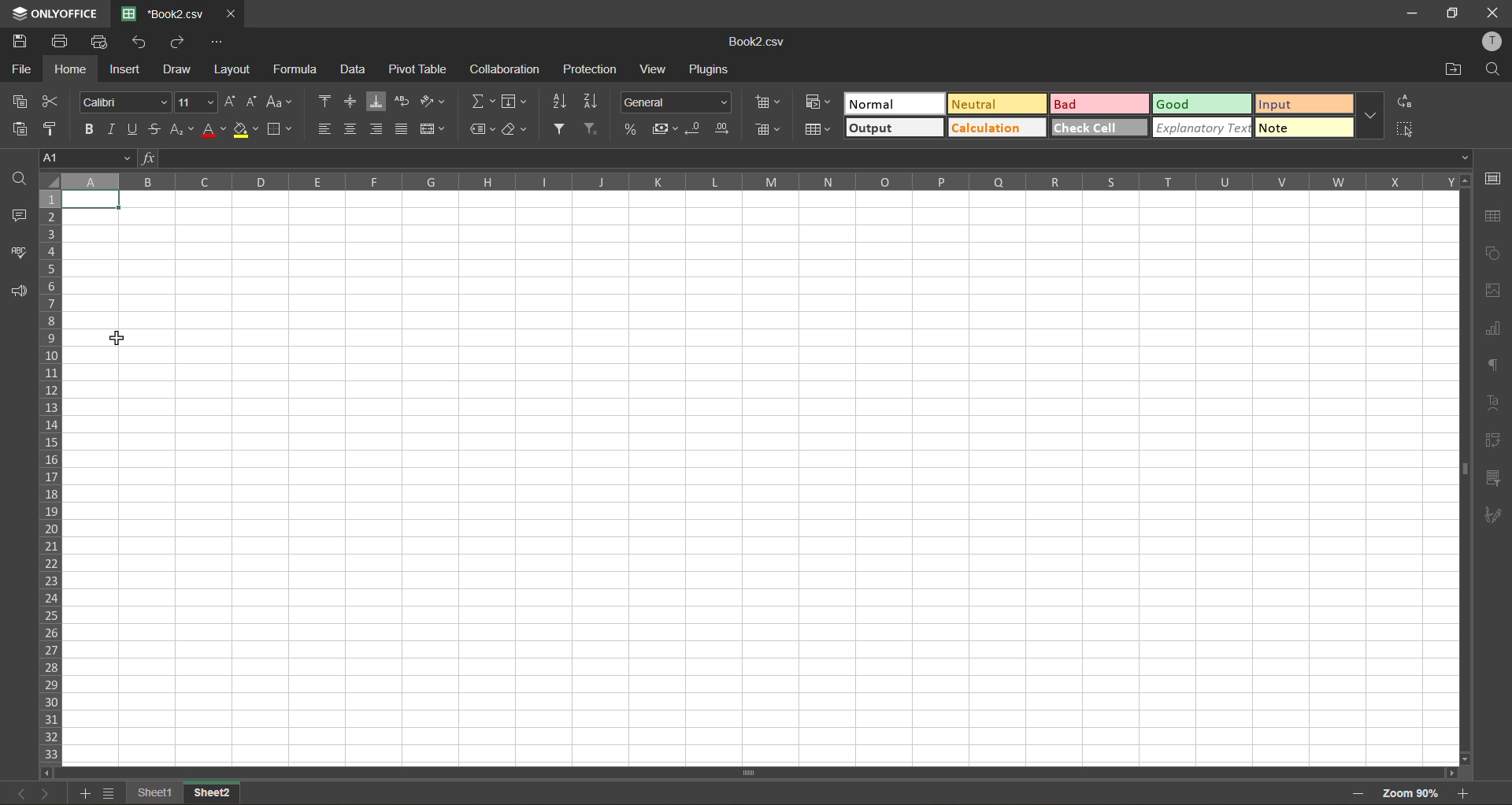  Describe the element at coordinates (123, 102) in the screenshot. I see `font style` at that location.